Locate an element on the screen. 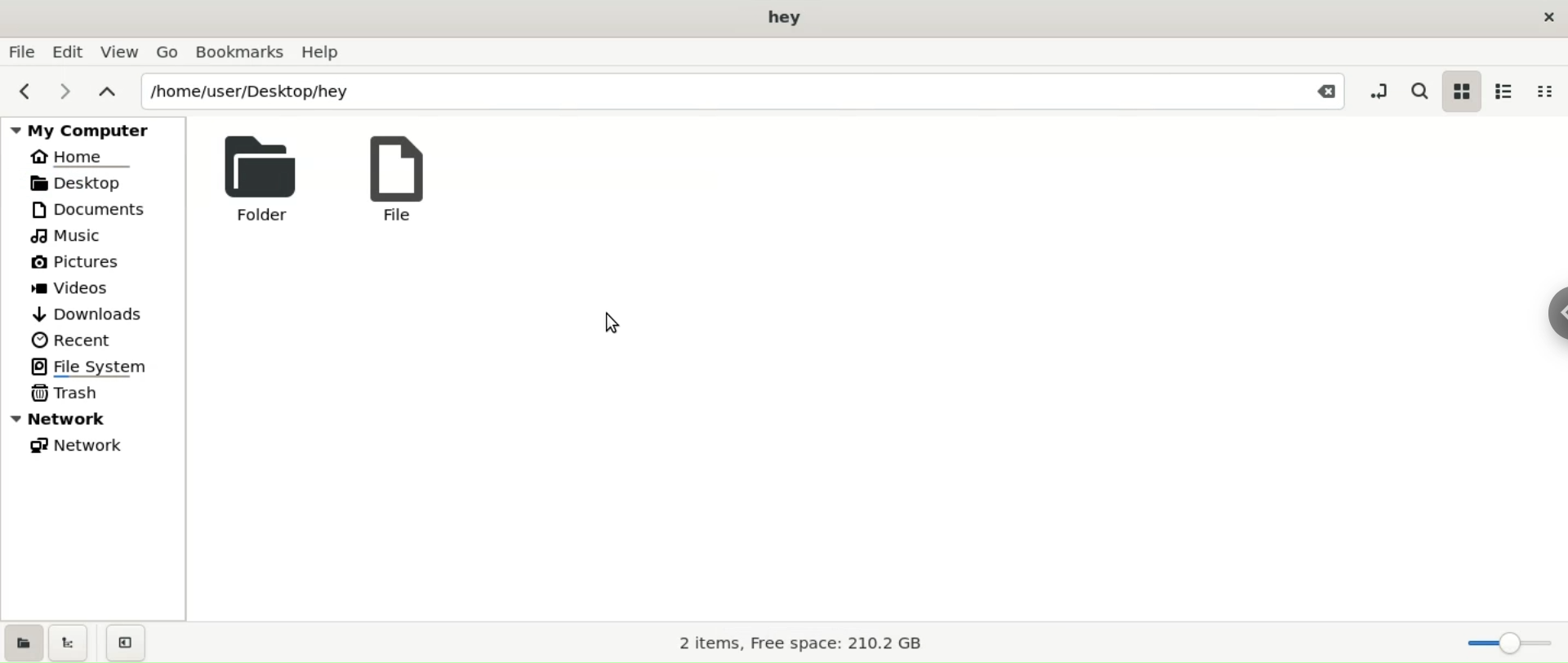  next is located at coordinates (67, 91).